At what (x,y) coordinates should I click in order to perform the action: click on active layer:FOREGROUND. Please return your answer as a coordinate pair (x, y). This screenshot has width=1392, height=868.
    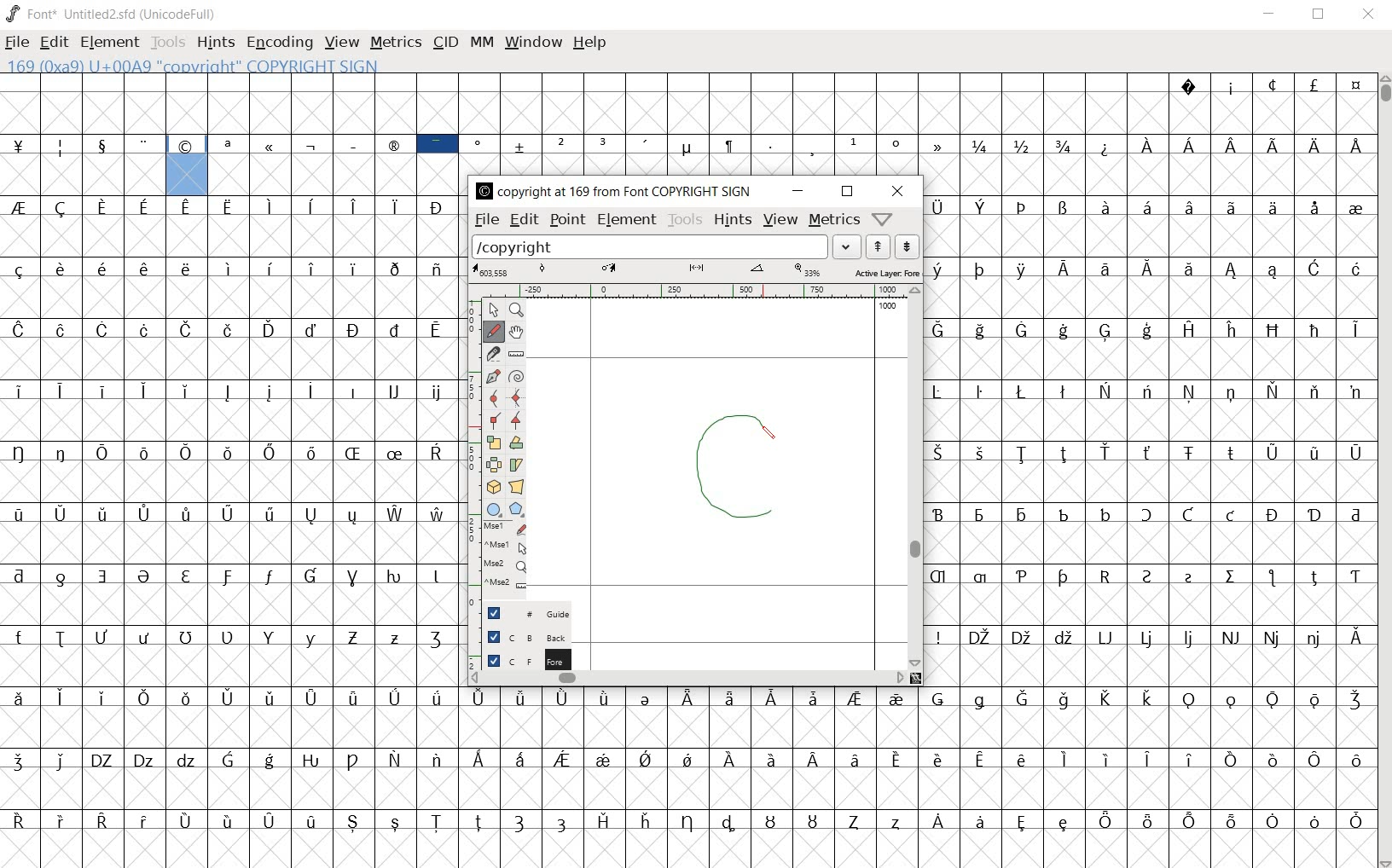
    Looking at the image, I should click on (695, 271).